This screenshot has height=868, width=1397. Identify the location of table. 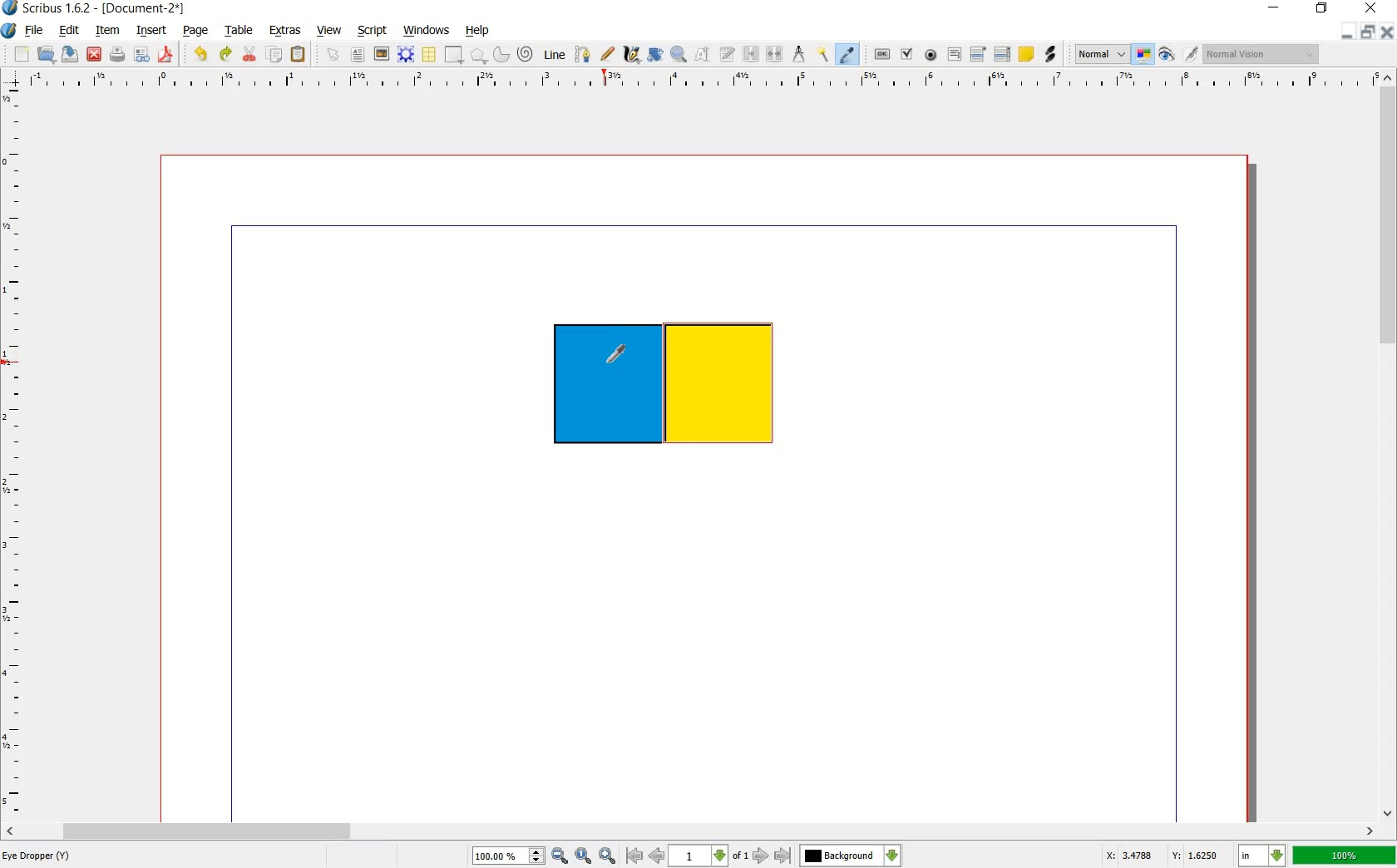
(242, 30).